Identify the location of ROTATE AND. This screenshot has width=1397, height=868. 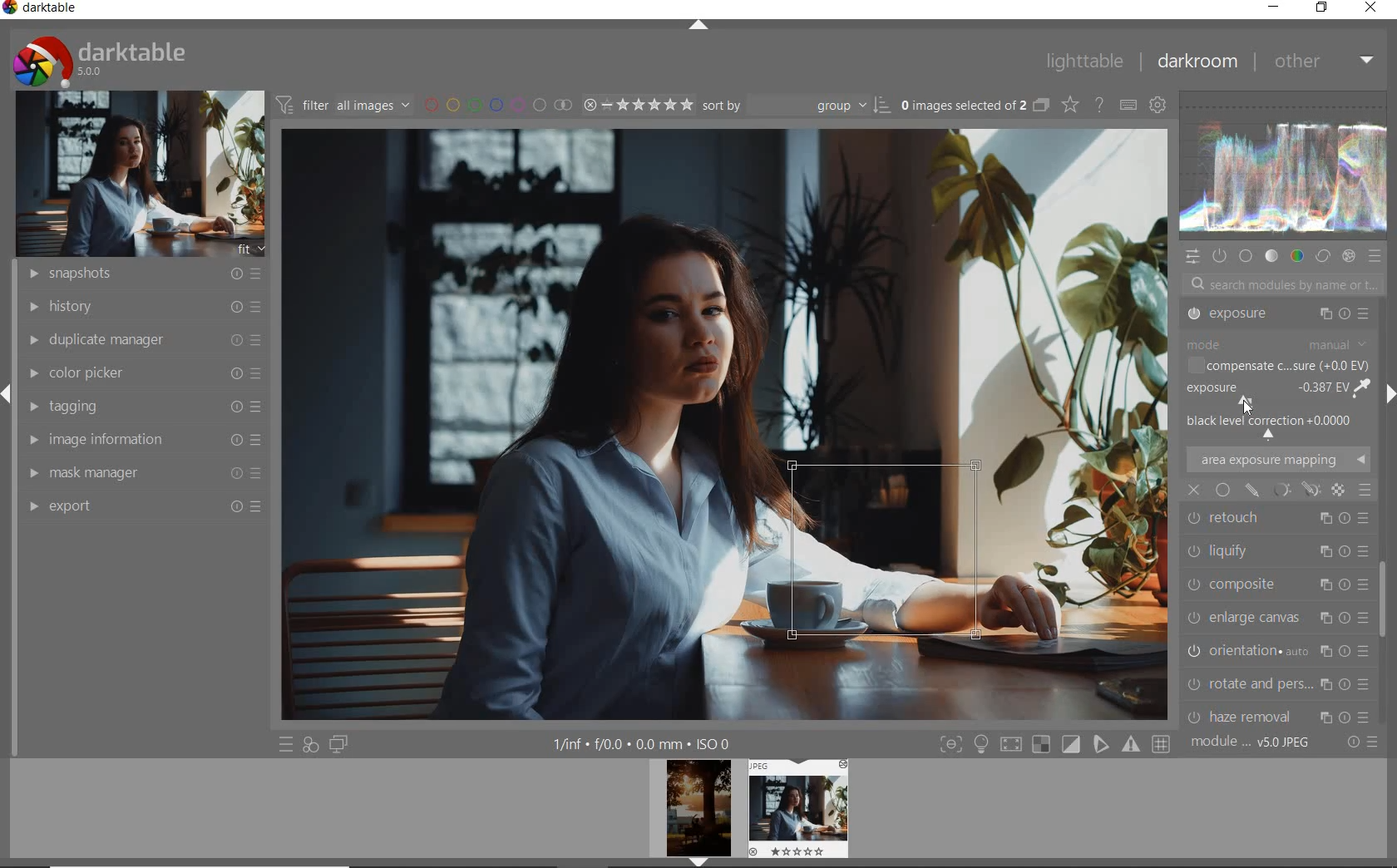
(1275, 582).